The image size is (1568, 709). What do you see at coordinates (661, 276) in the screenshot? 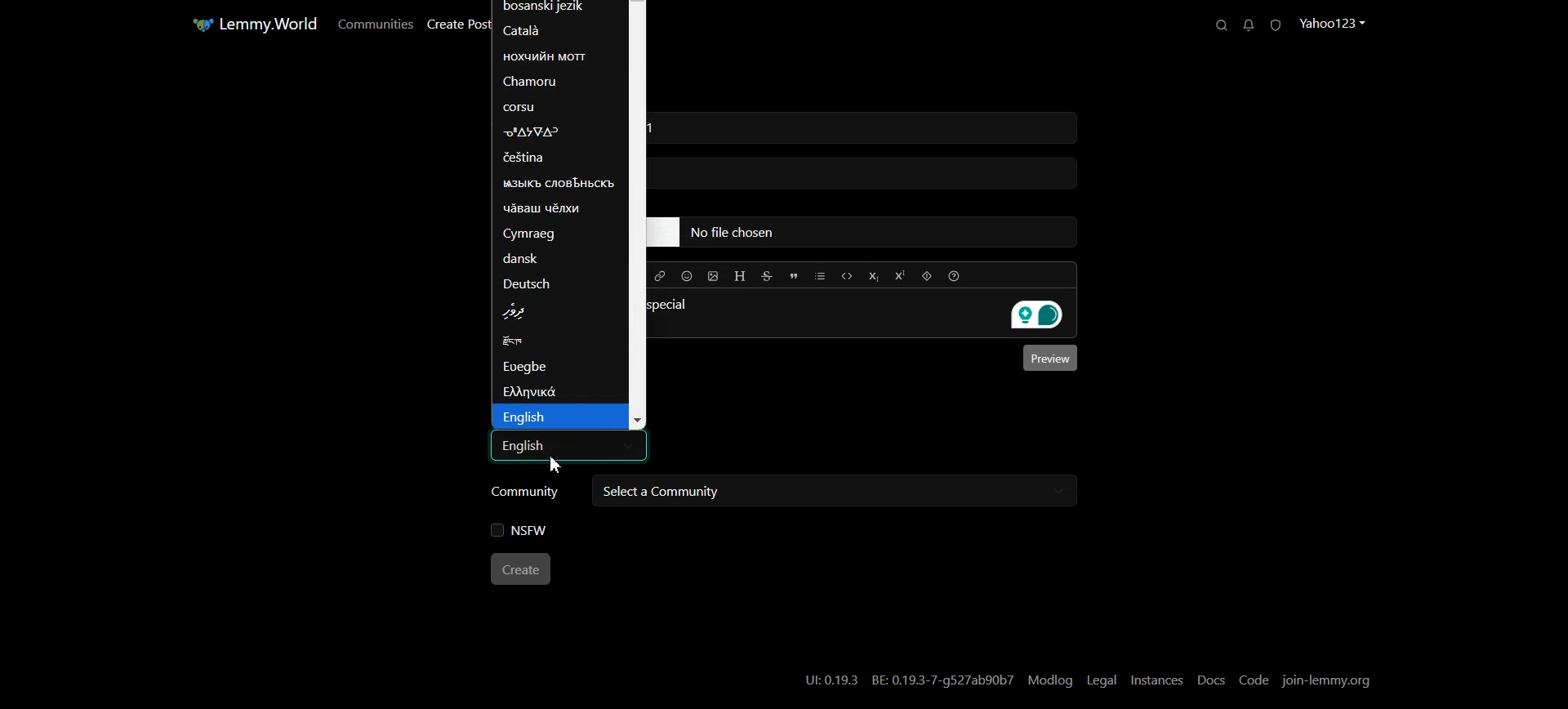
I see `Hyperlink` at bounding box center [661, 276].